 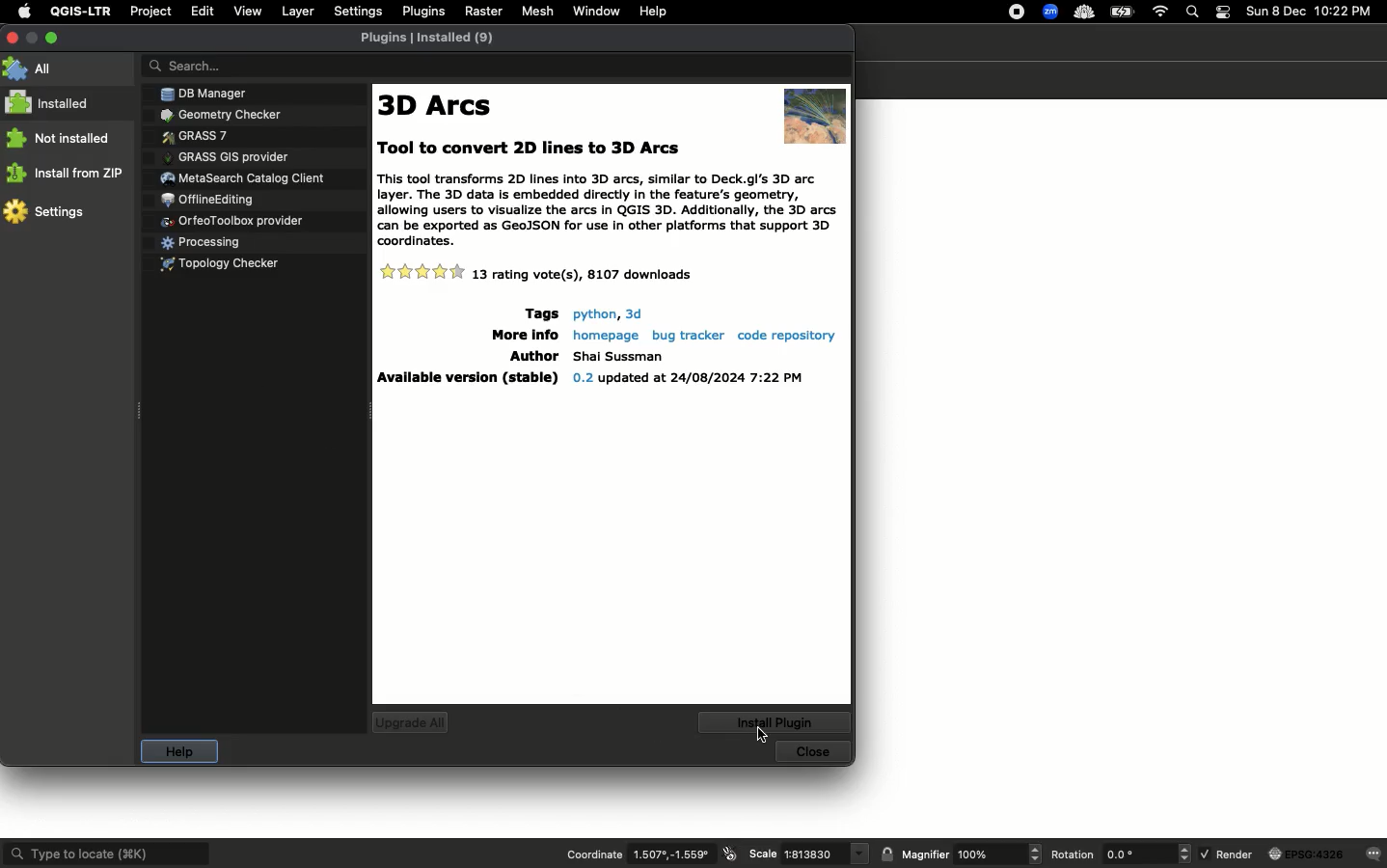 What do you see at coordinates (674, 854) in the screenshot?
I see `Coordinates` at bounding box center [674, 854].